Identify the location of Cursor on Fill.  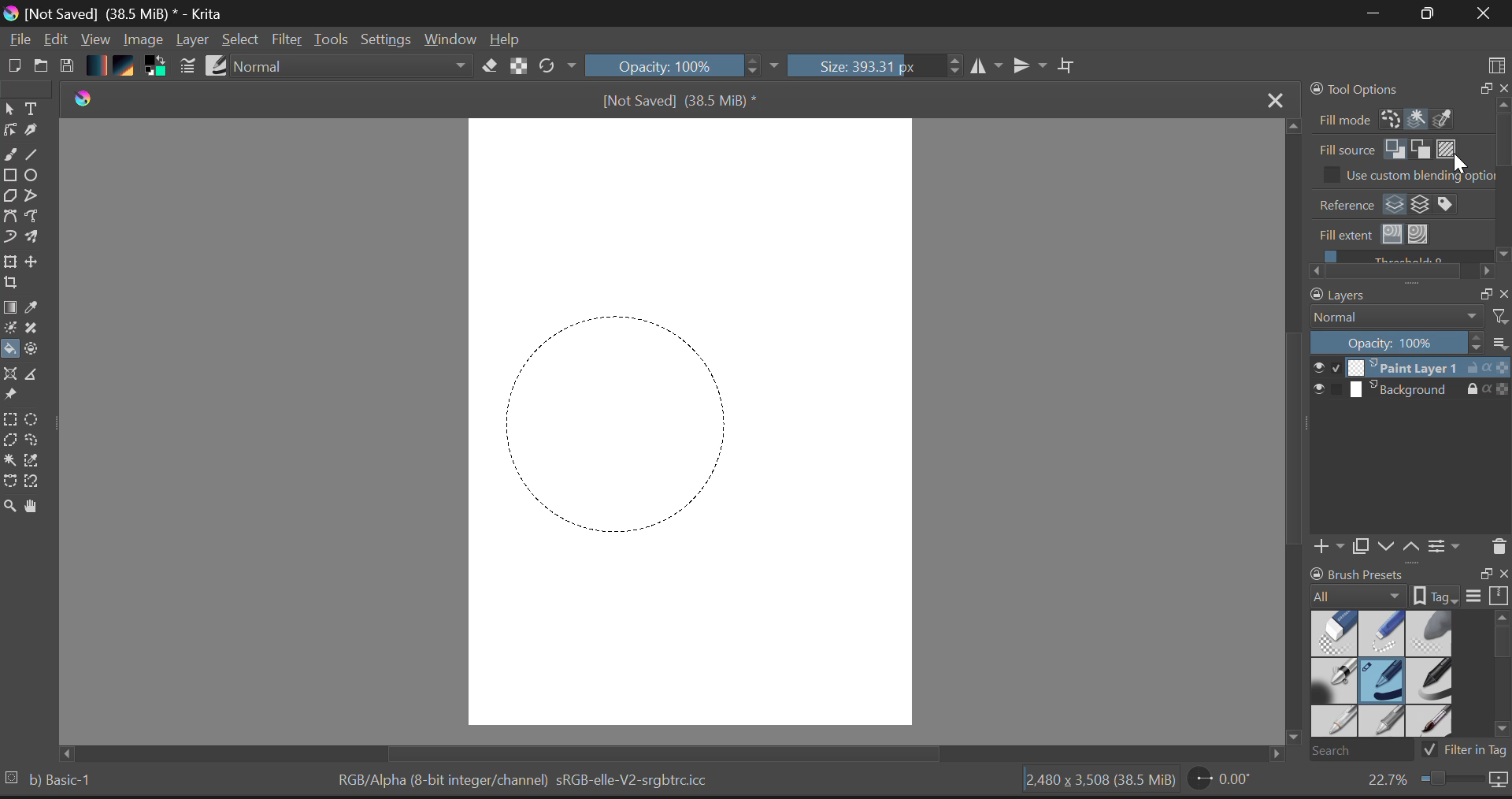
(14, 350).